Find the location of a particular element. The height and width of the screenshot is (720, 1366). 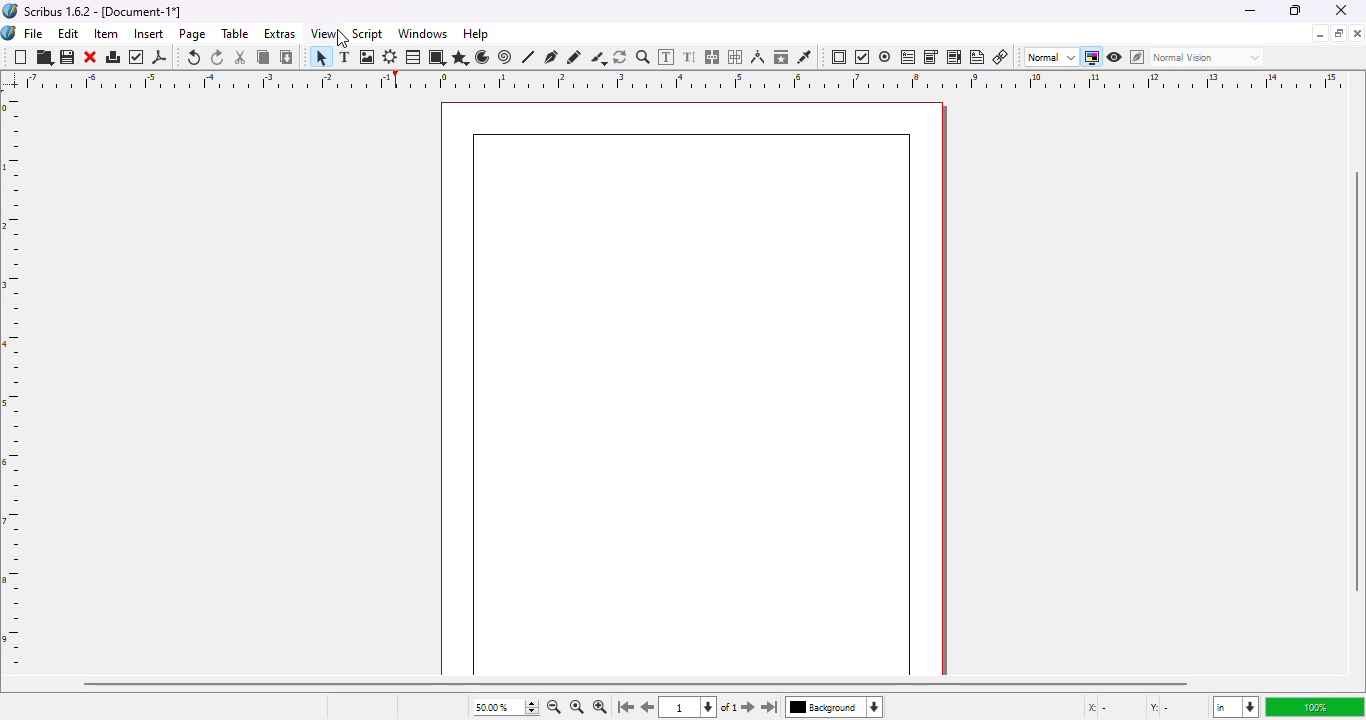

cursor is located at coordinates (343, 41).